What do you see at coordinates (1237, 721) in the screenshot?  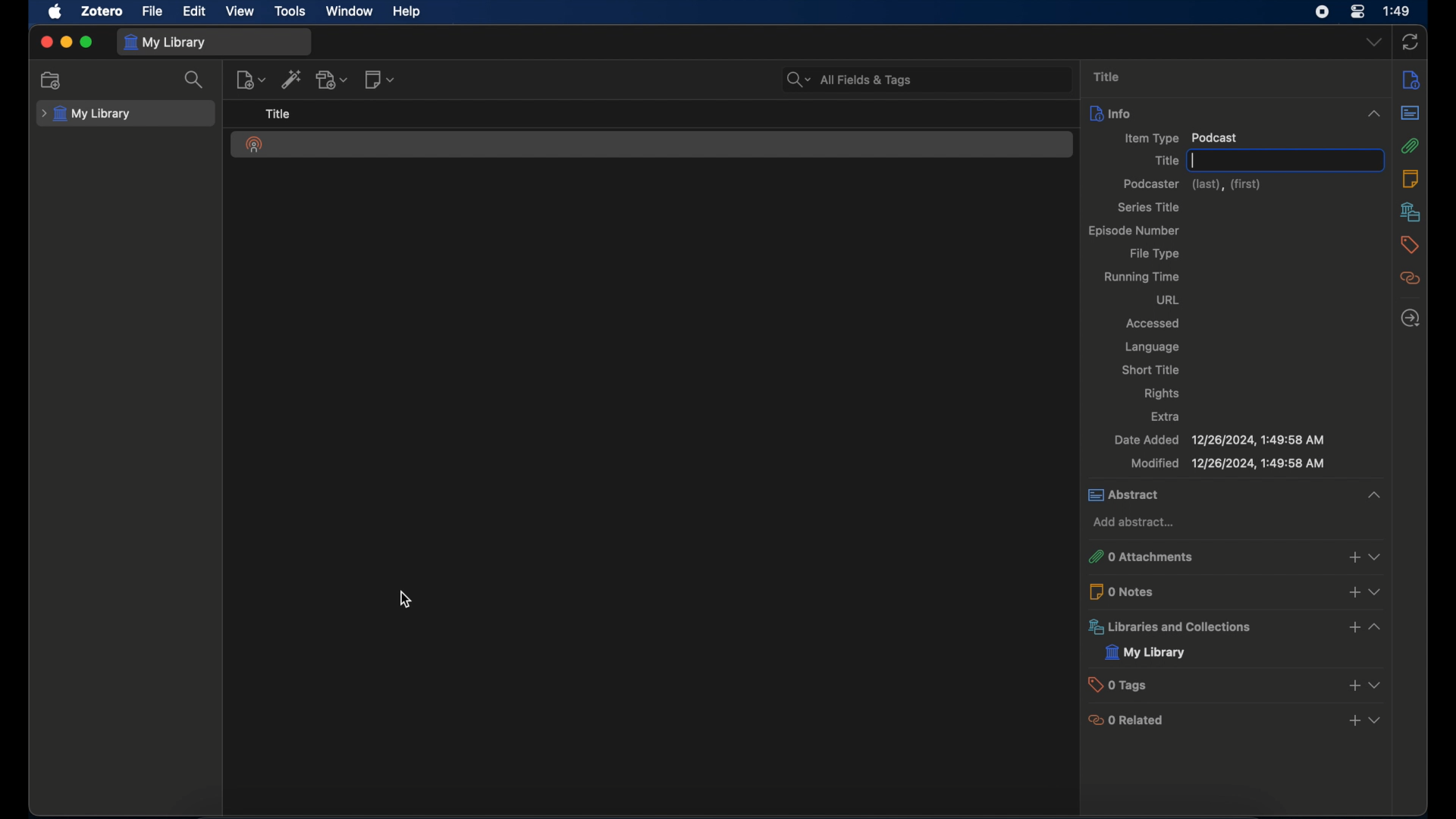 I see `0 related` at bounding box center [1237, 721].